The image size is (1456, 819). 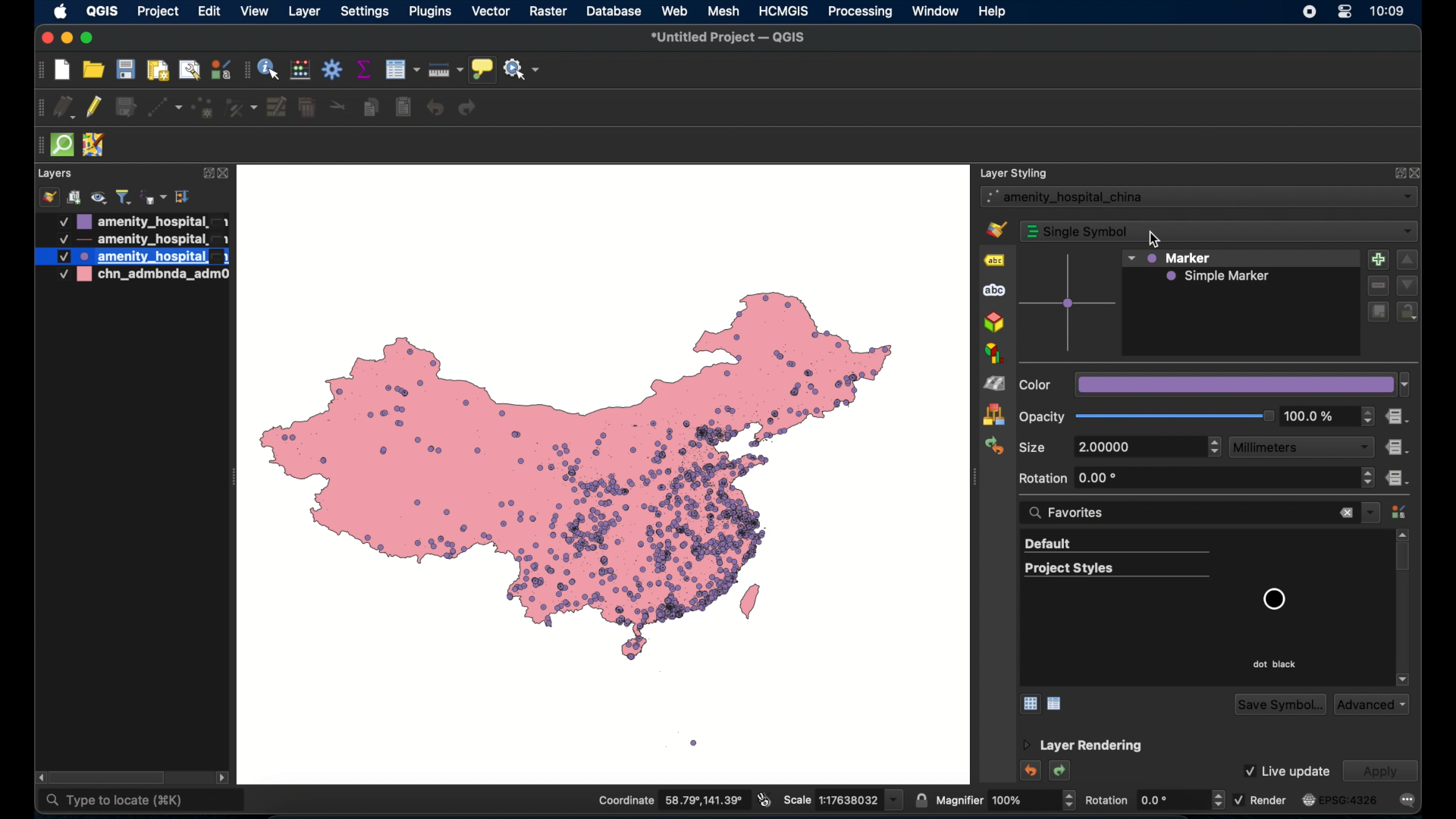 What do you see at coordinates (66, 39) in the screenshot?
I see `minimize` at bounding box center [66, 39].